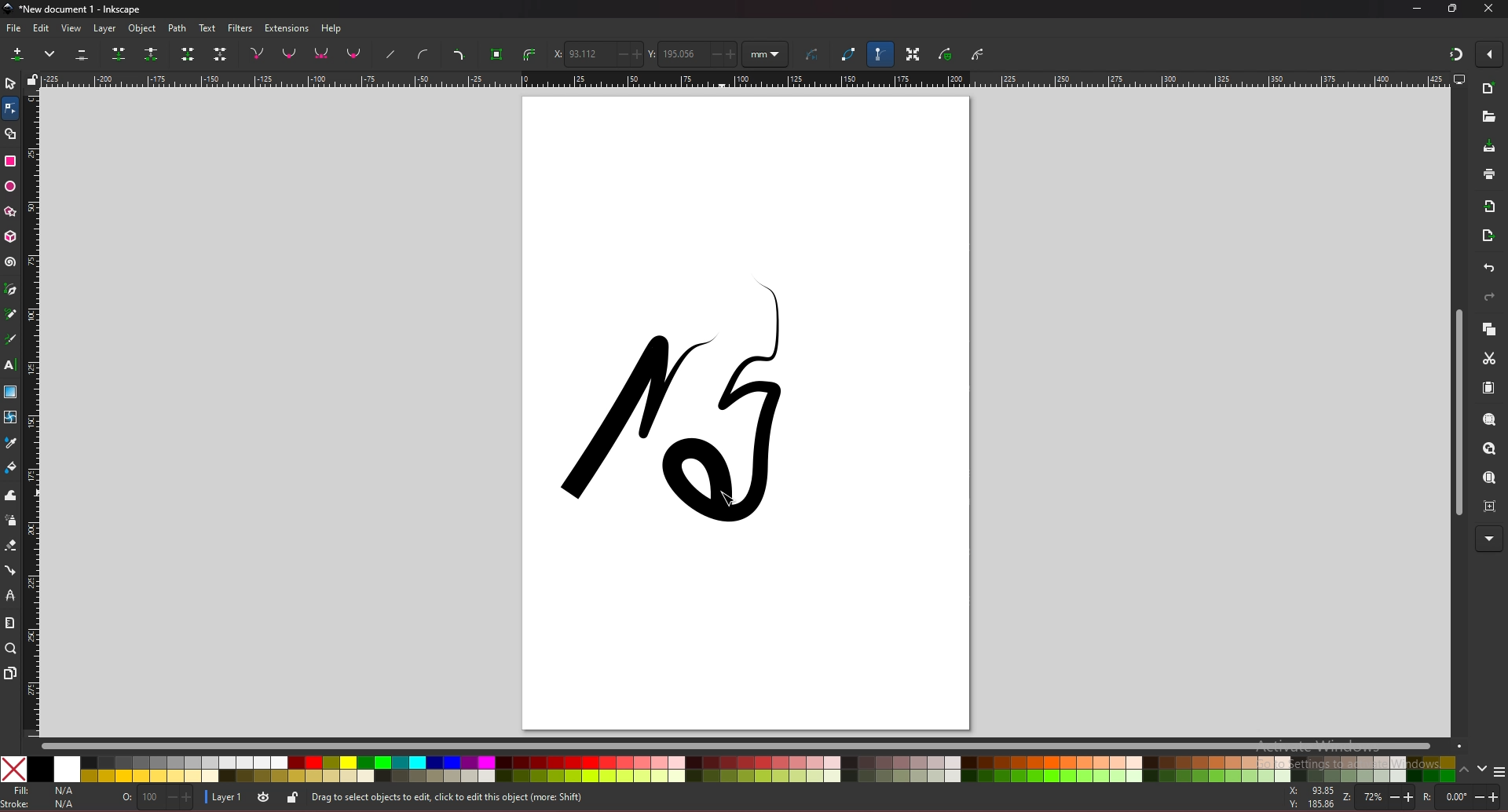 Image resolution: width=1508 pixels, height=812 pixels. Describe the element at coordinates (10, 186) in the screenshot. I see `ellipse` at that location.